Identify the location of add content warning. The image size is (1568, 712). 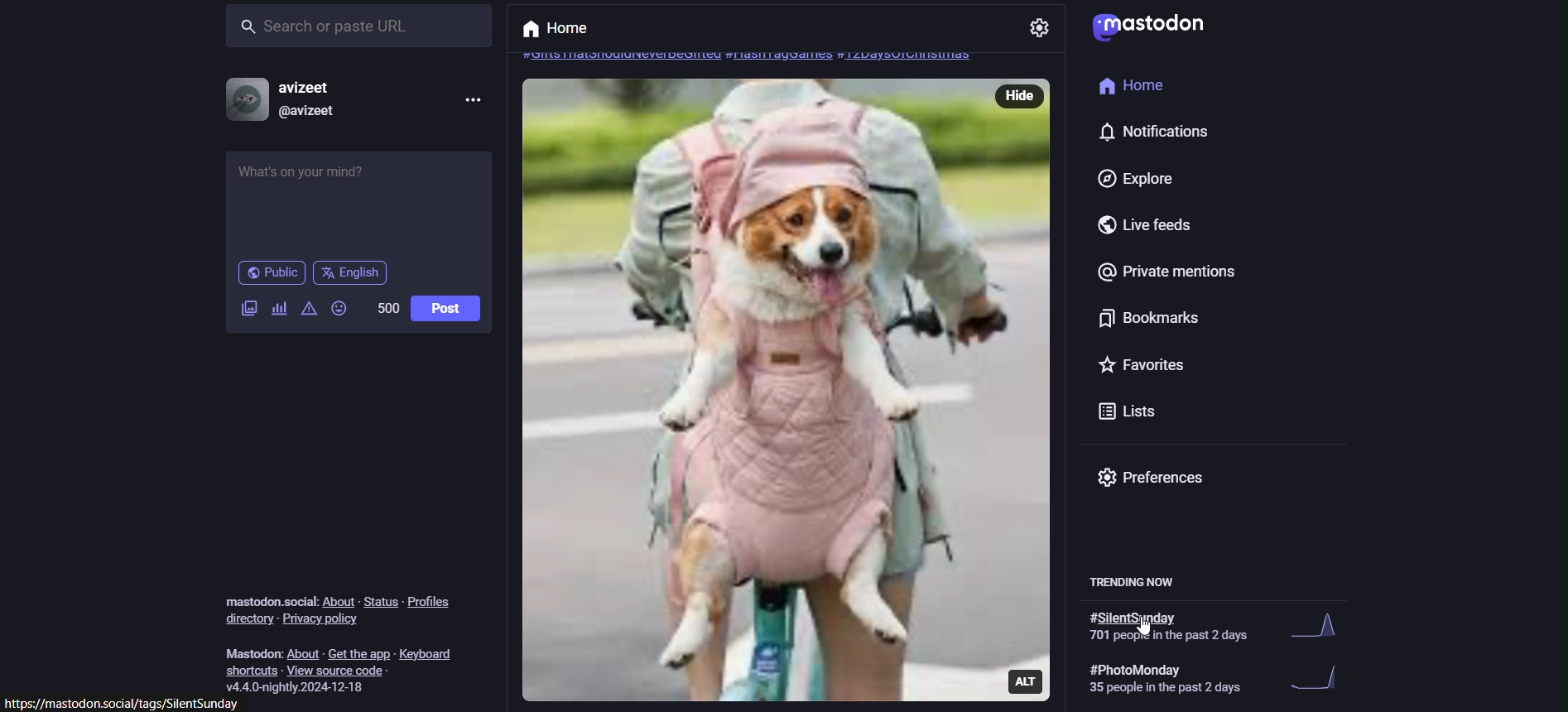
(310, 307).